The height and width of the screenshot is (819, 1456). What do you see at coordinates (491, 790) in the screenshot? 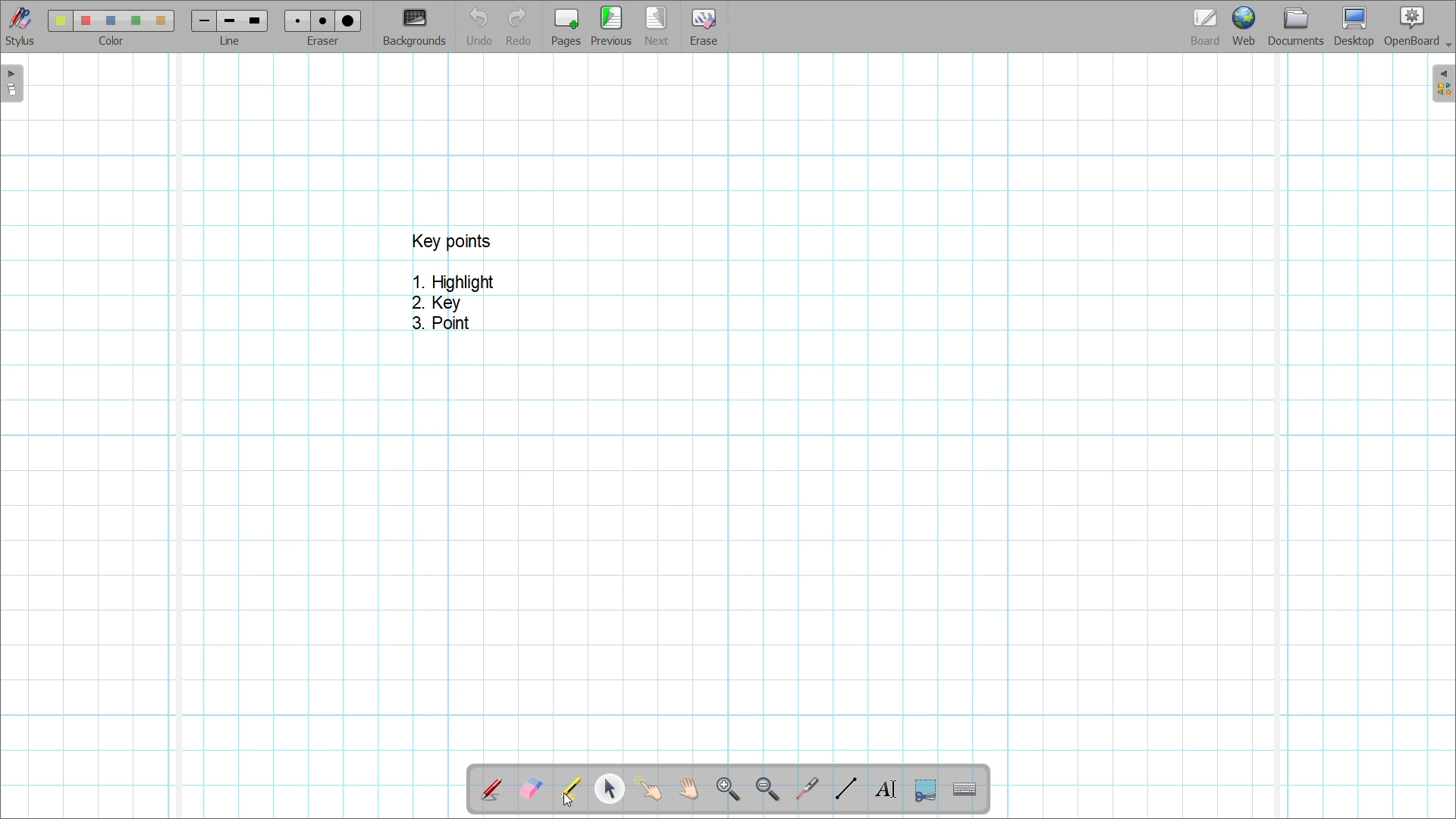
I see `Annotate document` at bounding box center [491, 790].